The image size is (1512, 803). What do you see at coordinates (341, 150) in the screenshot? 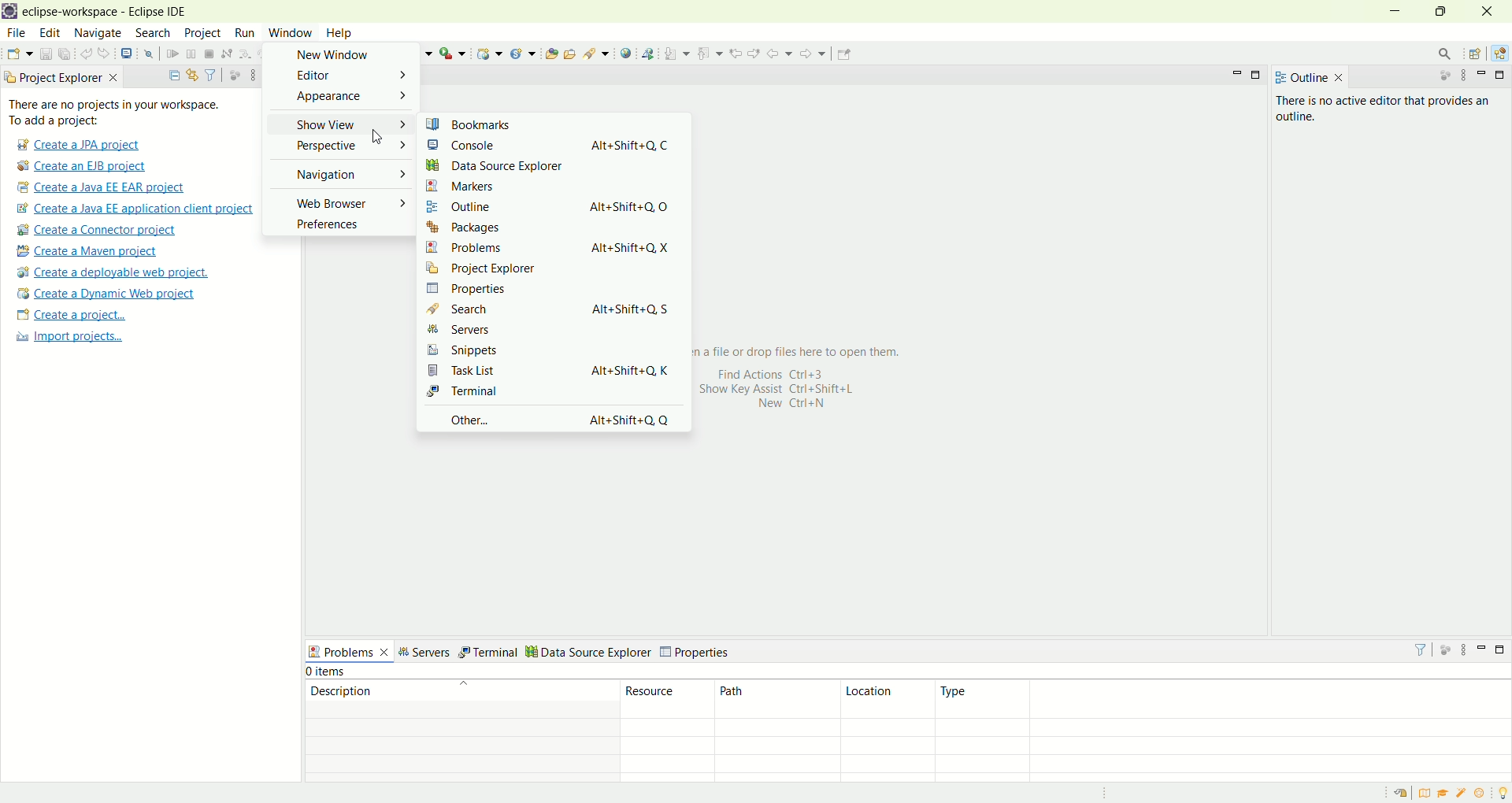
I see `perspective` at bounding box center [341, 150].